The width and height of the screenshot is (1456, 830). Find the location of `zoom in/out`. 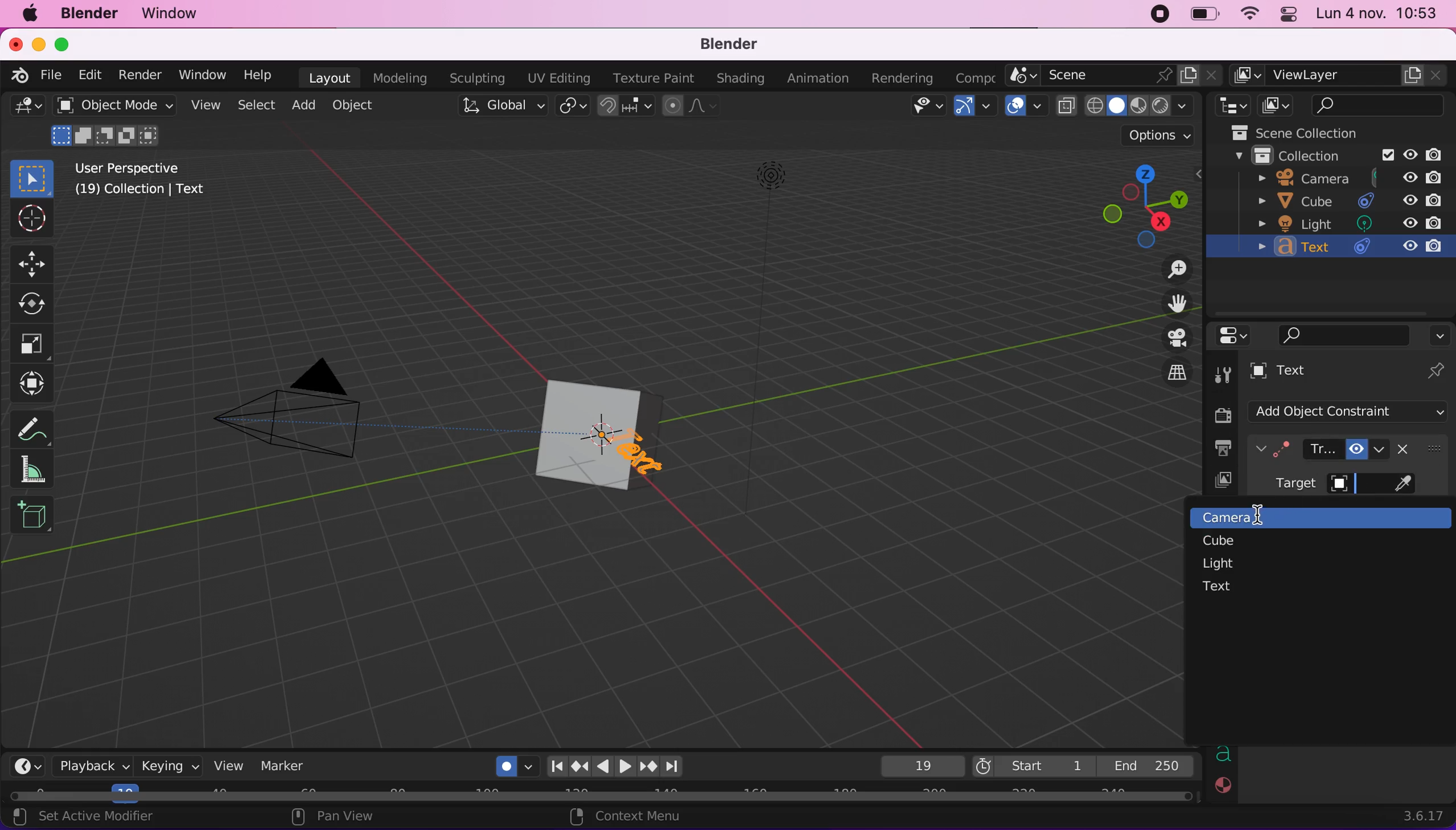

zoom in/out is located at coordinates (1173, 272).